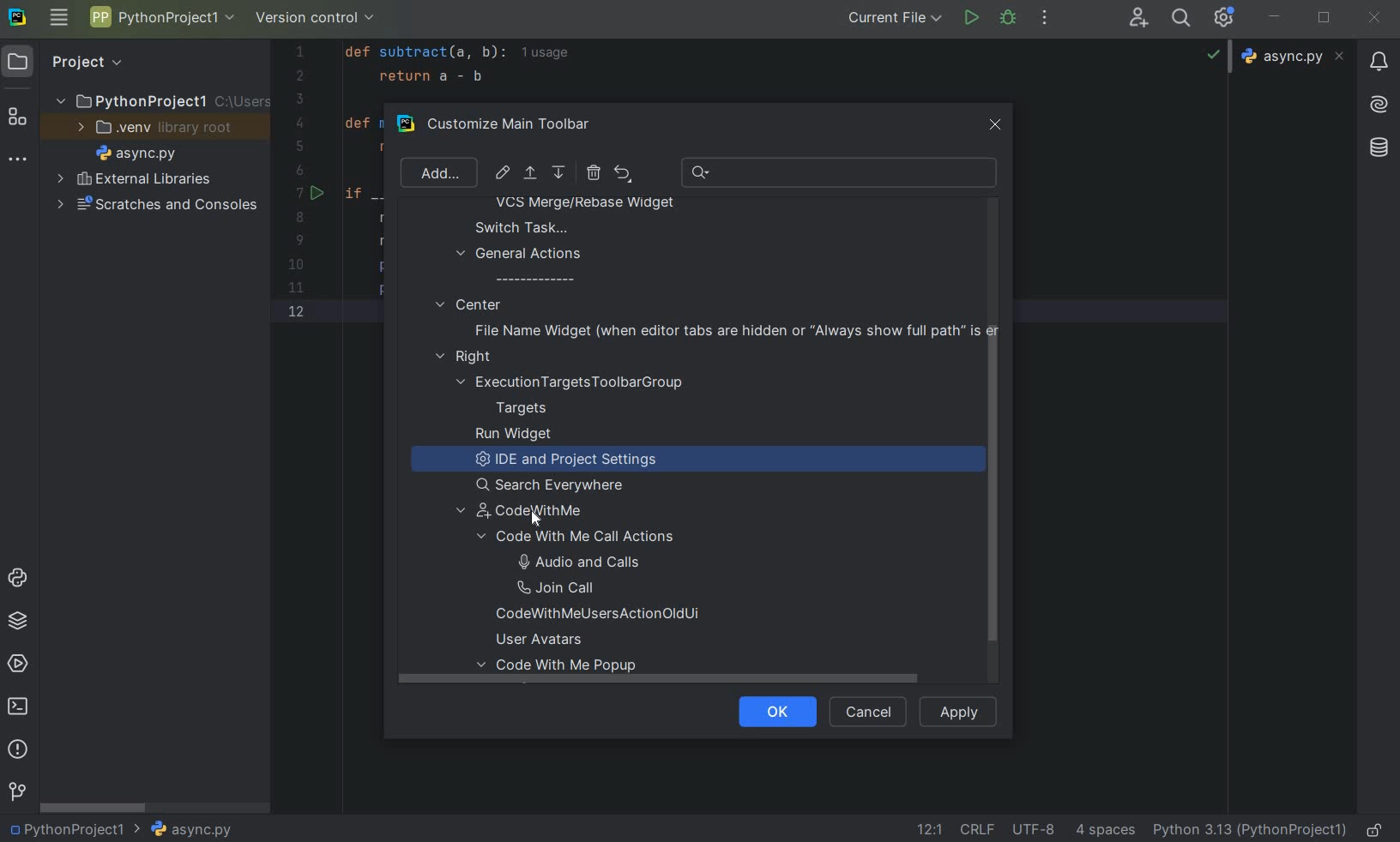 This screenshot has width=1400, height=842. I want to click on RECENT SEARCH, so click(841, 172).